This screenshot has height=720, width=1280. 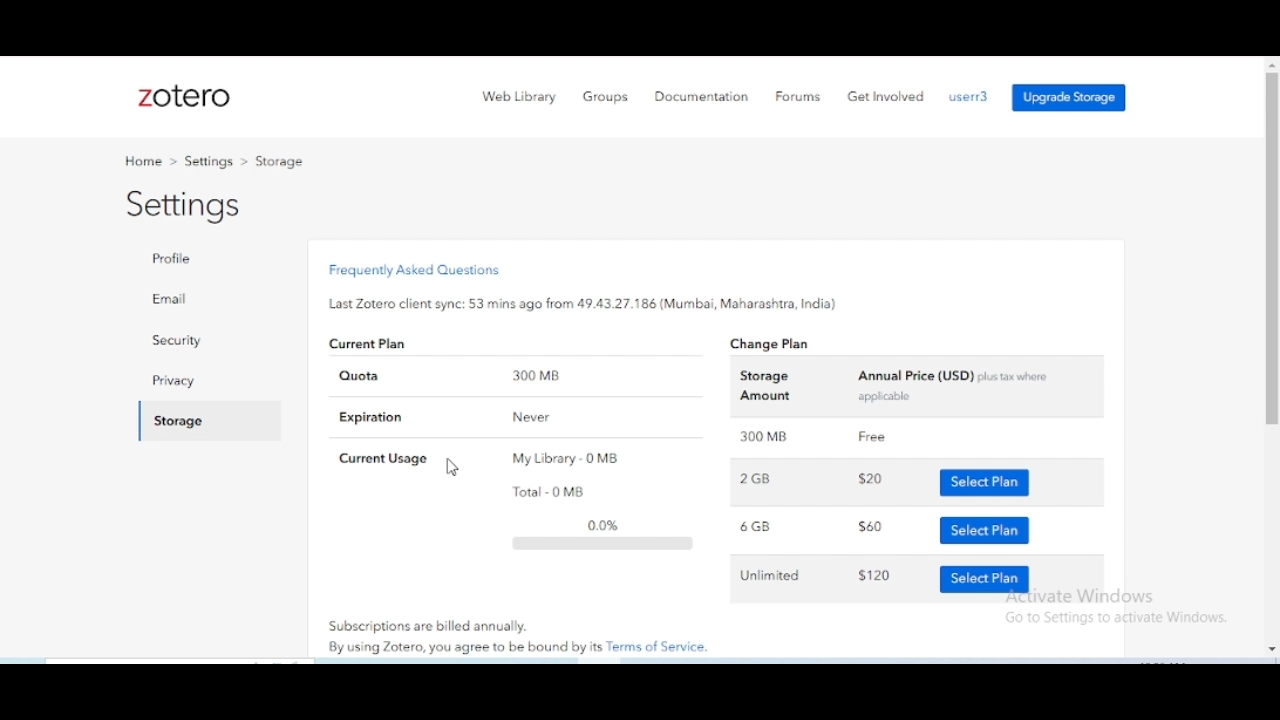 What do you see at coordinates (278, 162) in the screenshot?
I see `storage` at bounding box center [278, 162].